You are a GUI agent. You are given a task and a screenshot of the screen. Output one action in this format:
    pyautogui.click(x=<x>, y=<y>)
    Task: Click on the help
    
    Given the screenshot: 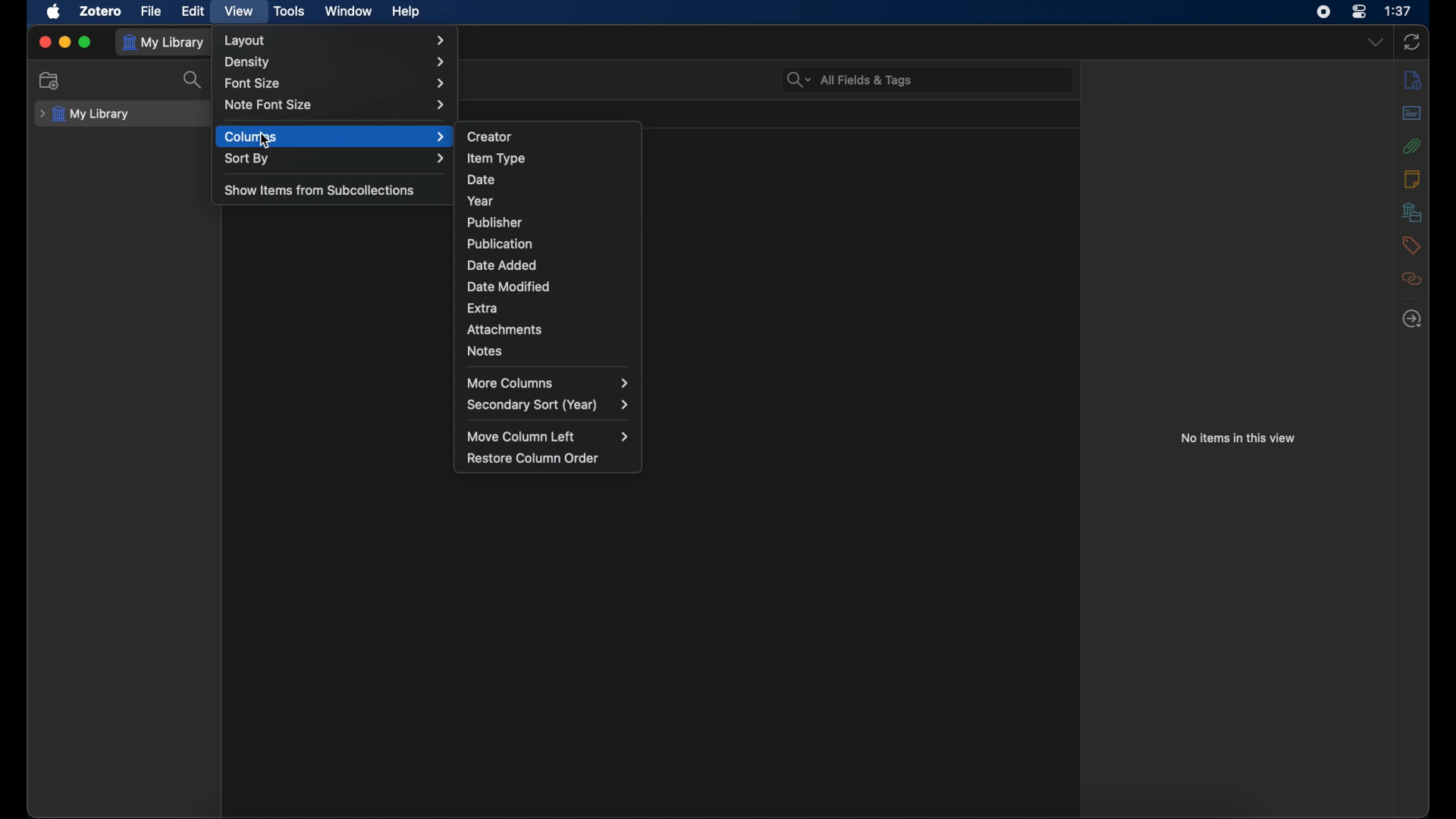 What is the action you would take?
    pyautogui.click(x=407, y=13)
    